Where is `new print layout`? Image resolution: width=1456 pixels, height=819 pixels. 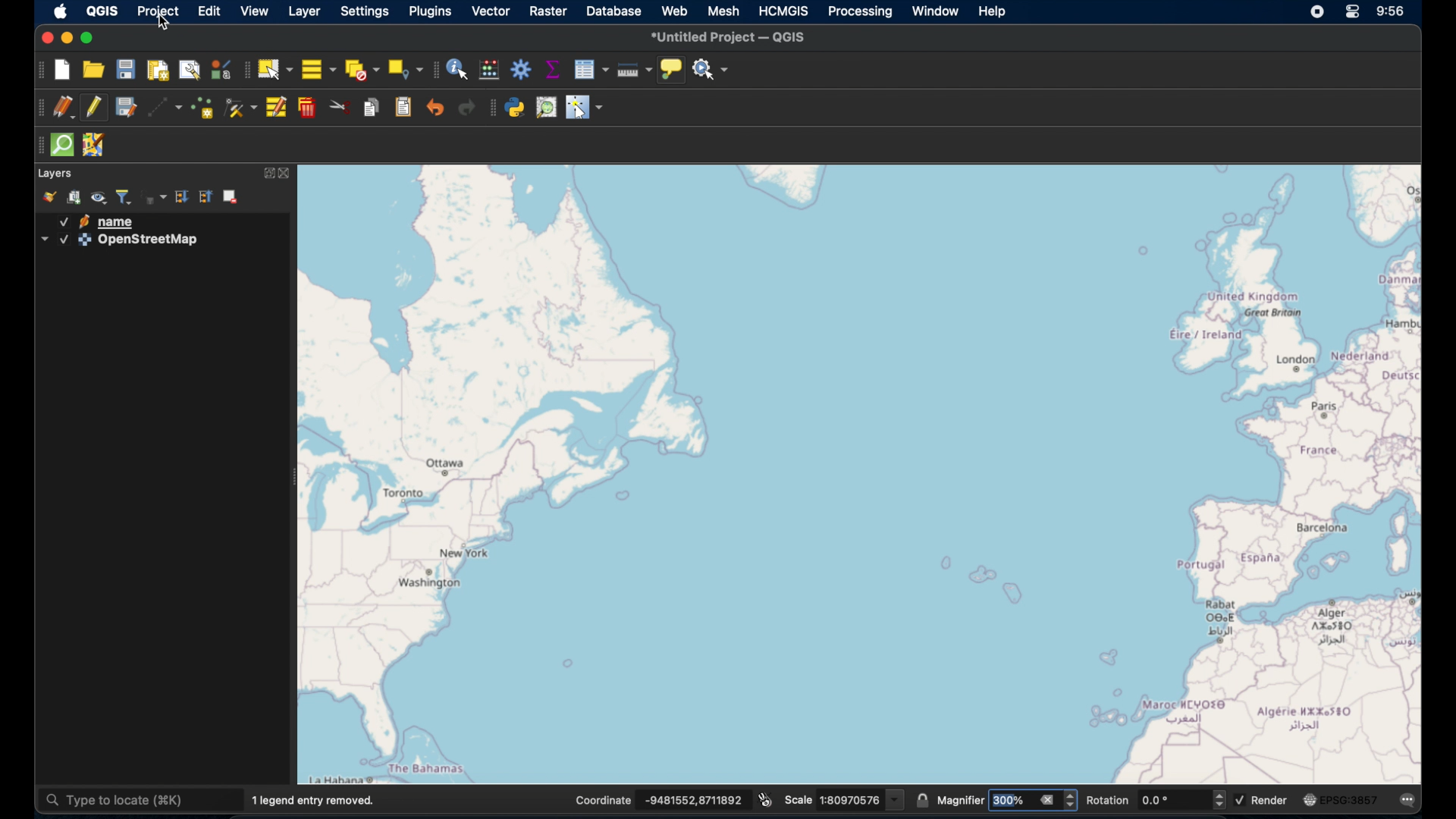
new print layout is located at coordinates (157, 71).